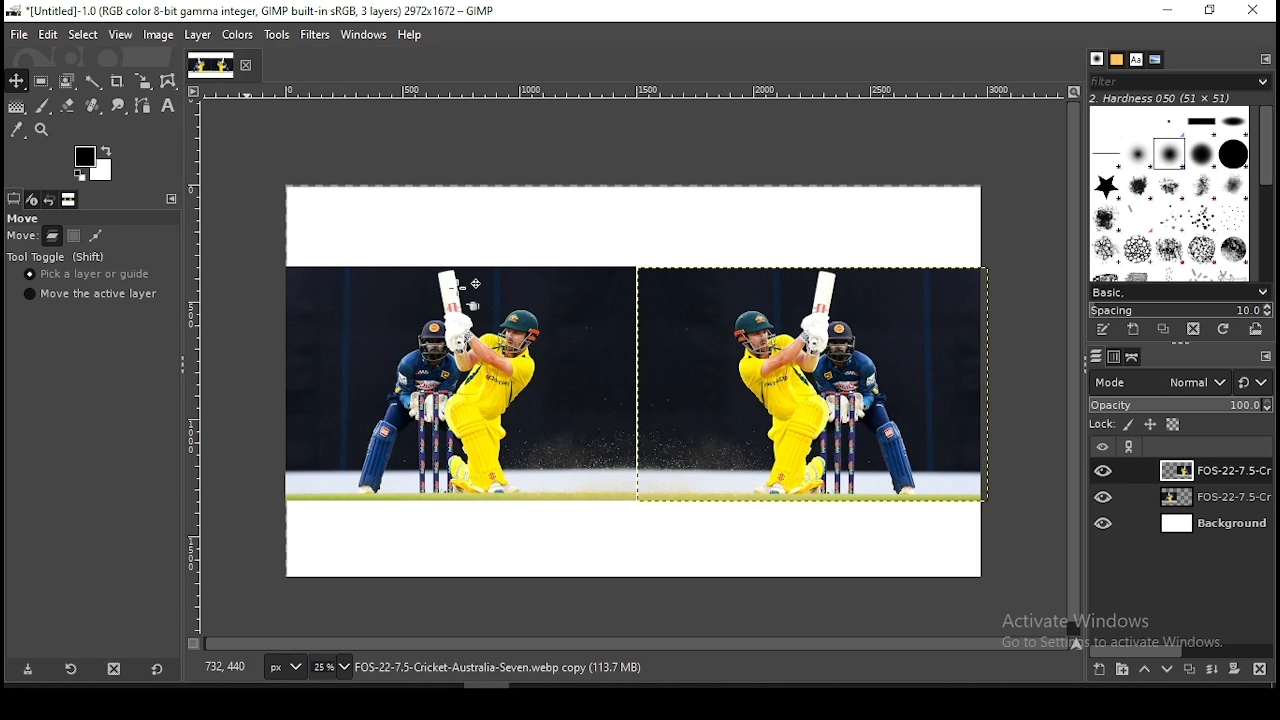  What do you see at coordinates (91, 107) in the screenshot?
I see `heal tool` at bounding box center [91, 107].